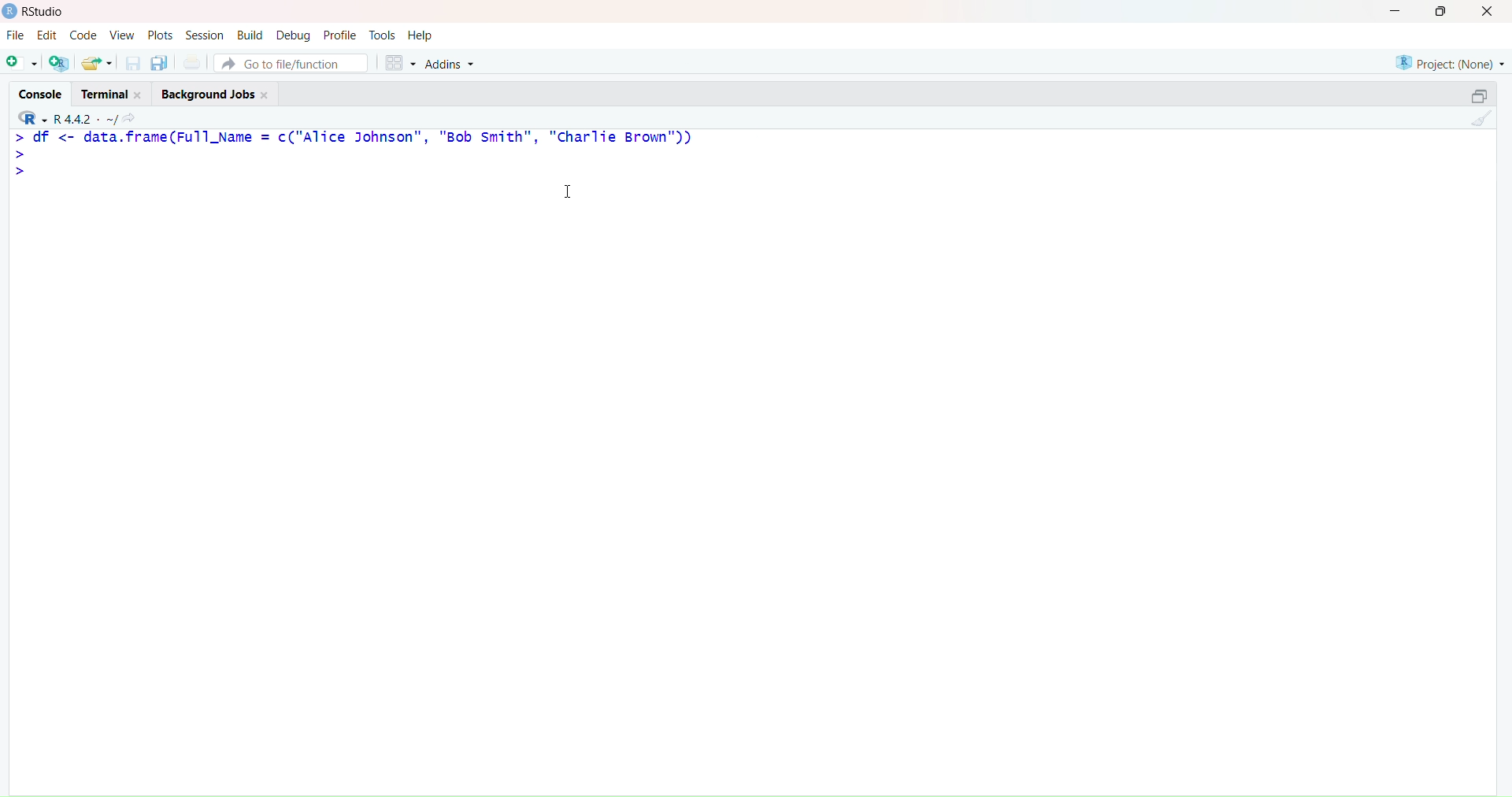 The image size is (1512, 797). What do you see at coordinates (42, 91) in the screenshot?
I see `Console` at bounding box center [42, 91].